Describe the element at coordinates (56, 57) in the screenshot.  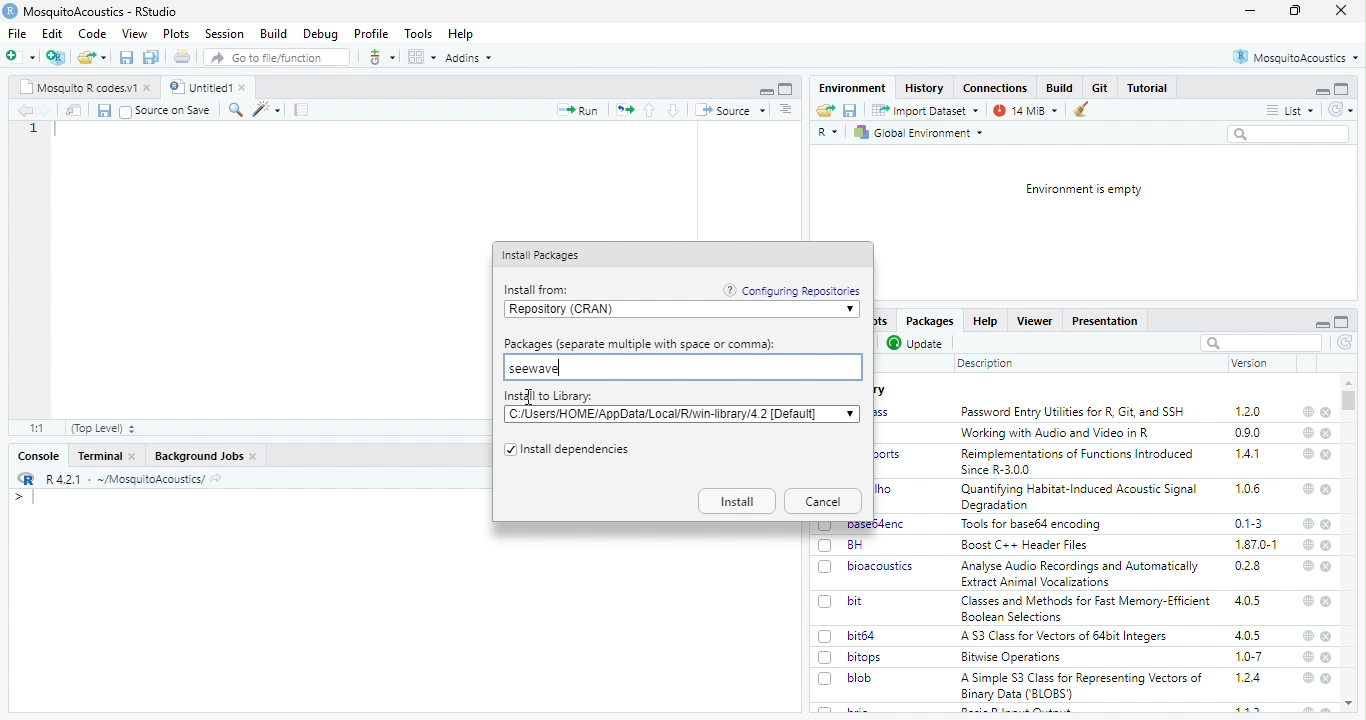
I see `add file` at that location.